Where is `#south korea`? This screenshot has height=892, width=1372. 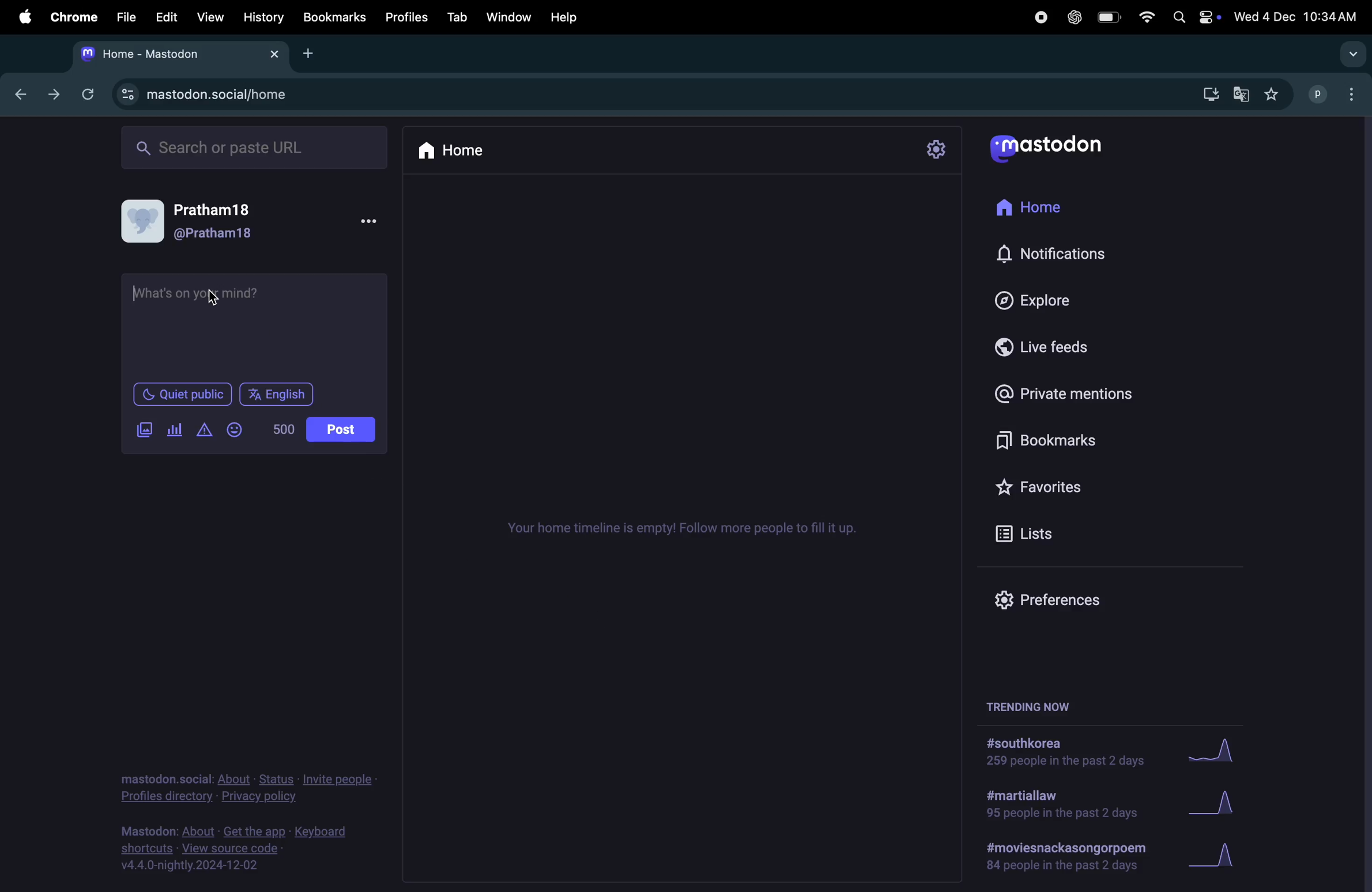
#south korea is located at coordinates (1060, 753).